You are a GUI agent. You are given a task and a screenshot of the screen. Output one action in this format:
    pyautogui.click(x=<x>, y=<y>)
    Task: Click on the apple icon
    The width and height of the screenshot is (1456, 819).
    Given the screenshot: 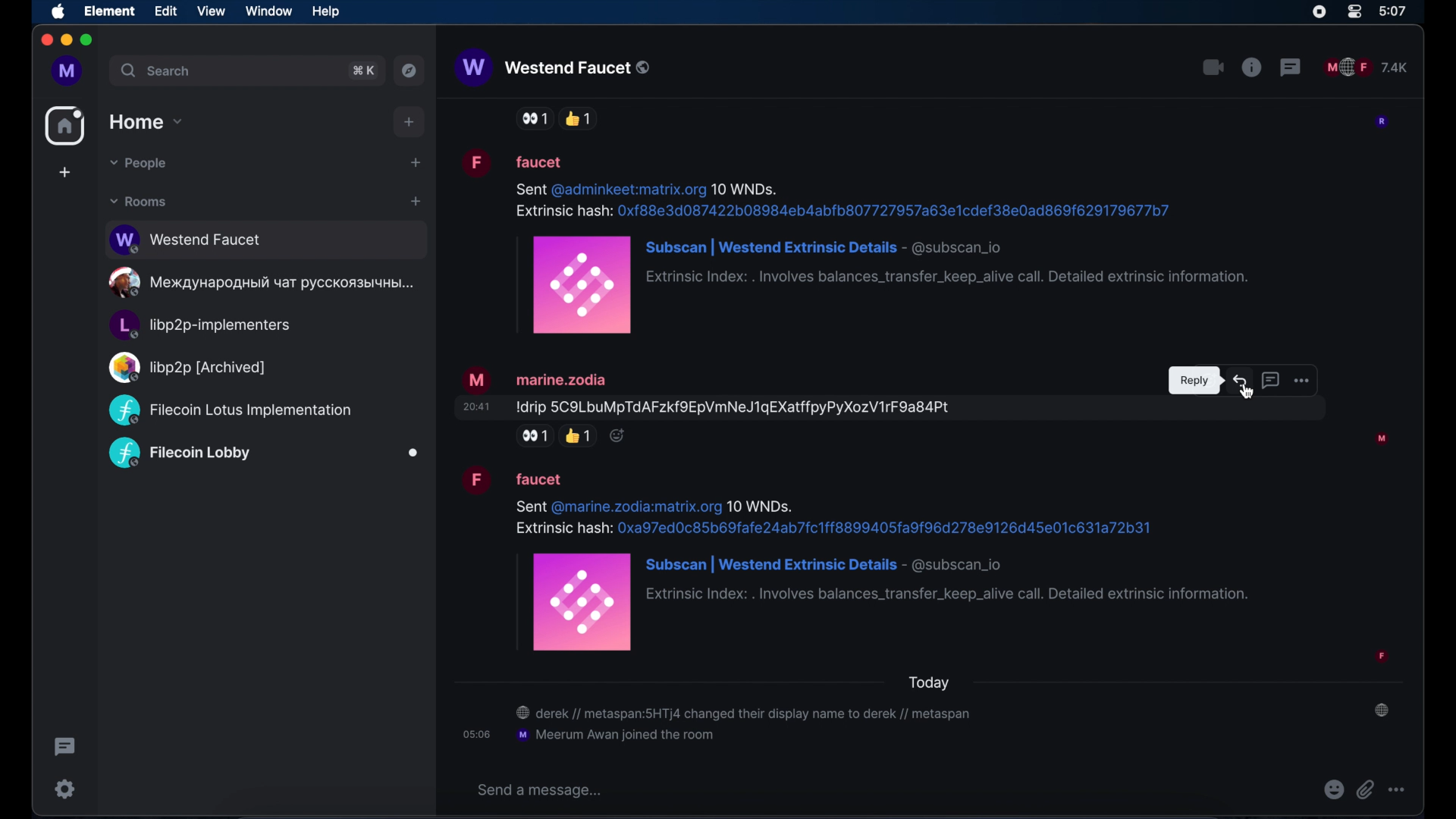 What is the action you would take?
    pyautogui.click(x=59, y=13)
    